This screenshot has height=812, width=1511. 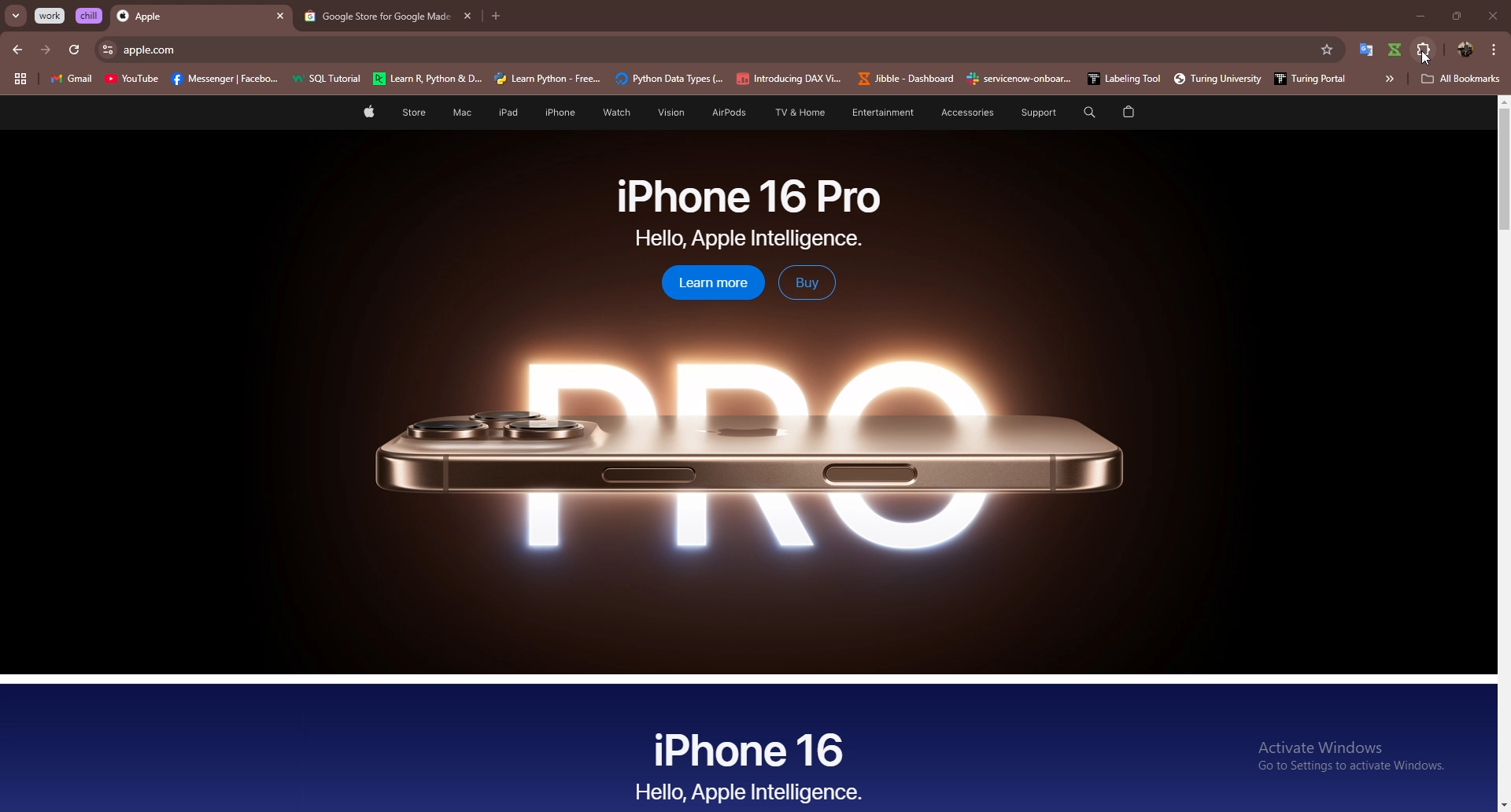 I want to click on Pro, so click(x=748, y=443).